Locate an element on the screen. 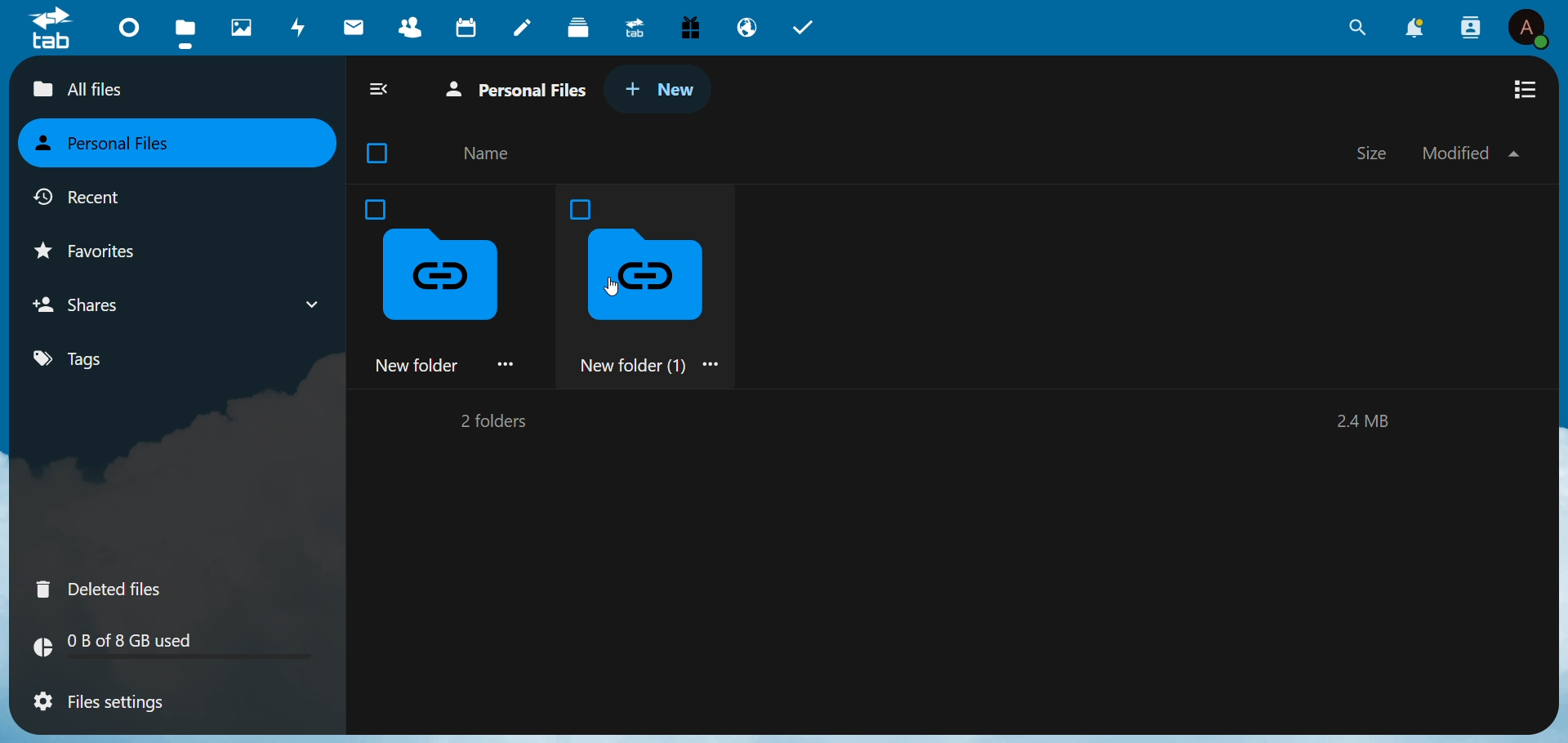 This screenshot has width=1568, height=743. personal files is located at coordinates (523, 90).